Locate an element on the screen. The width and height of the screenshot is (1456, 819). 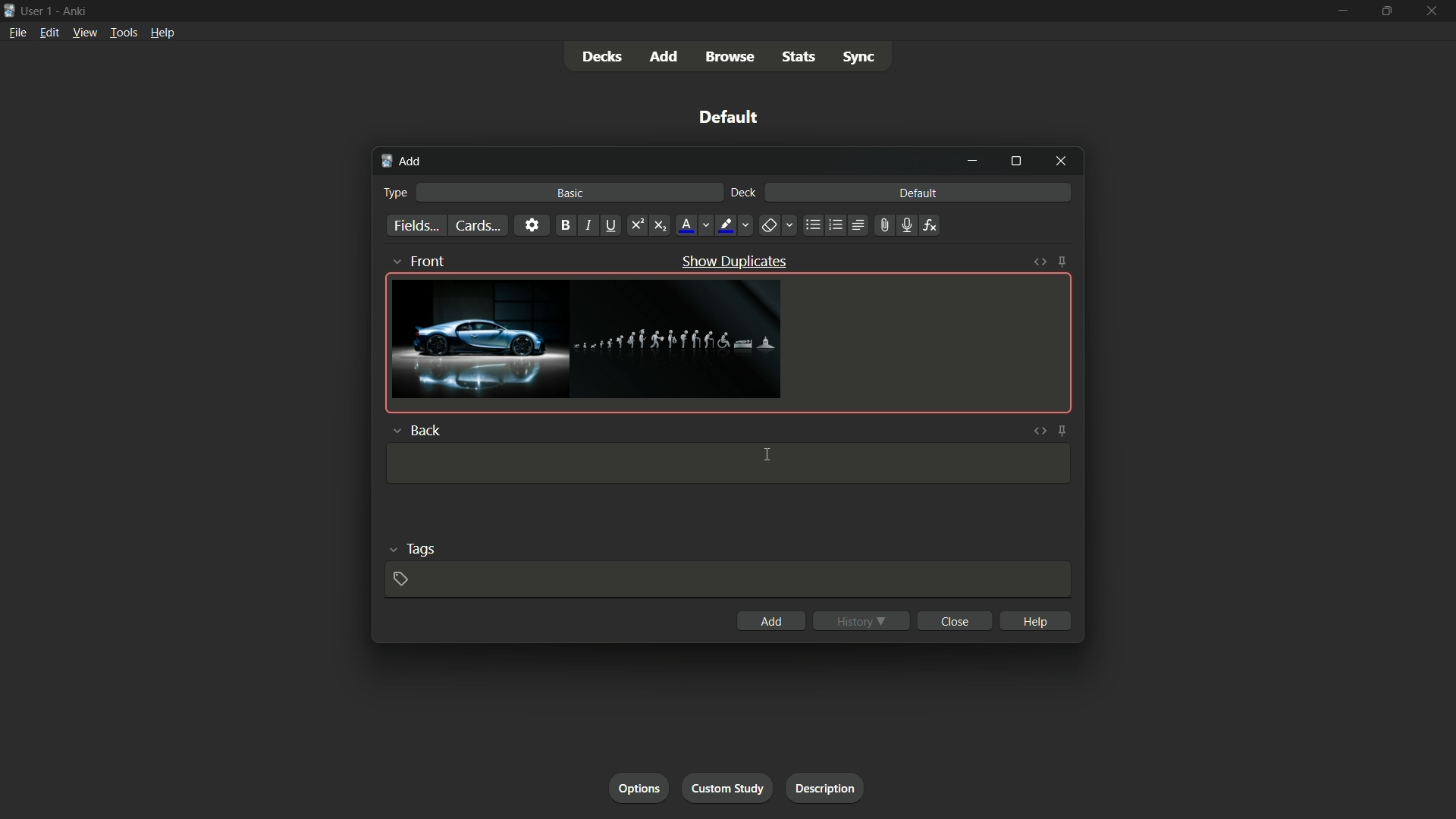
front is located at coordinates (422, 259).